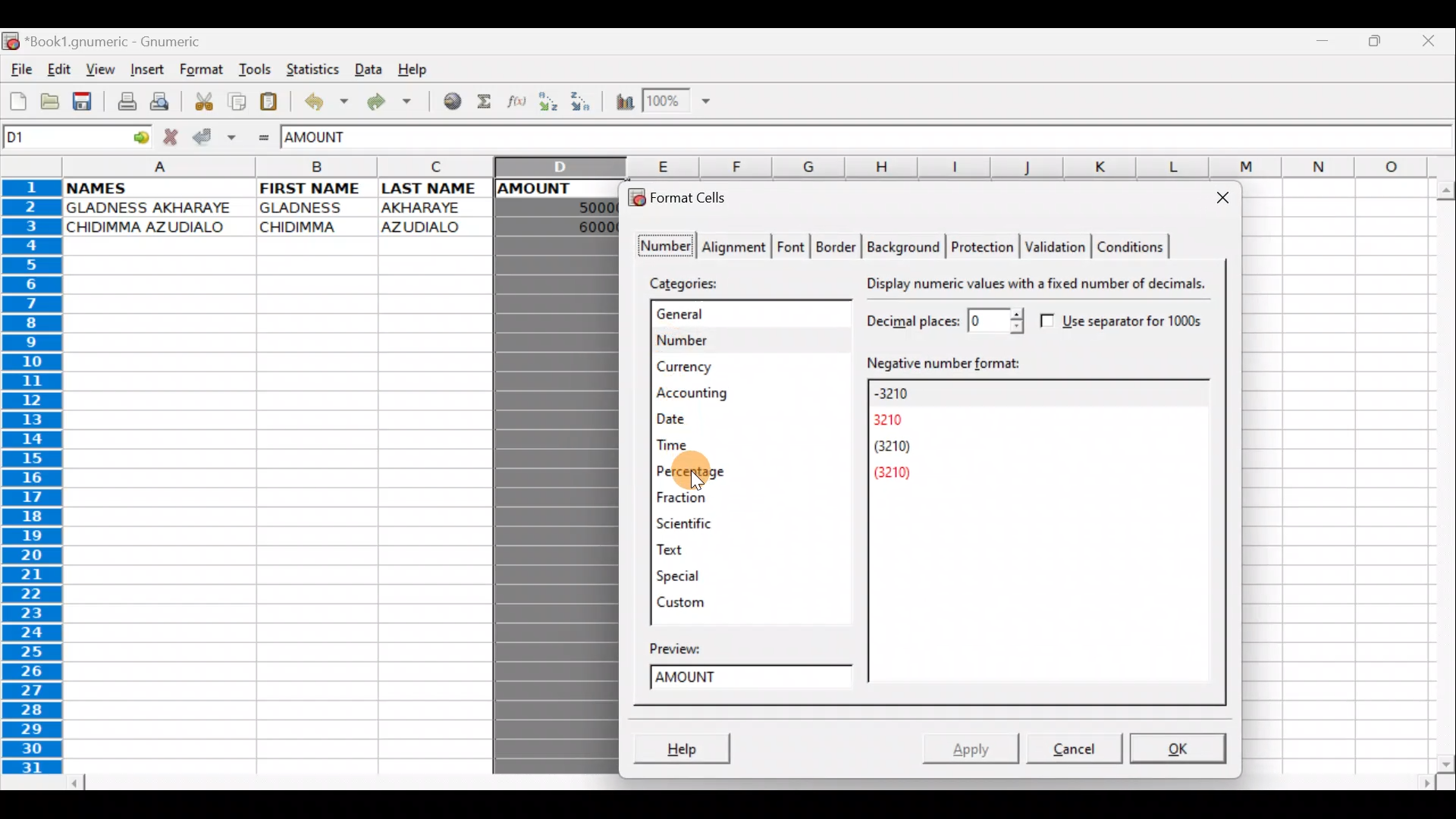 This screenshot has height=819, width=1456. What do you see at coordinates (709, 472) in the screenshot?
I see `Percentage` at bounding box center [709, 472].